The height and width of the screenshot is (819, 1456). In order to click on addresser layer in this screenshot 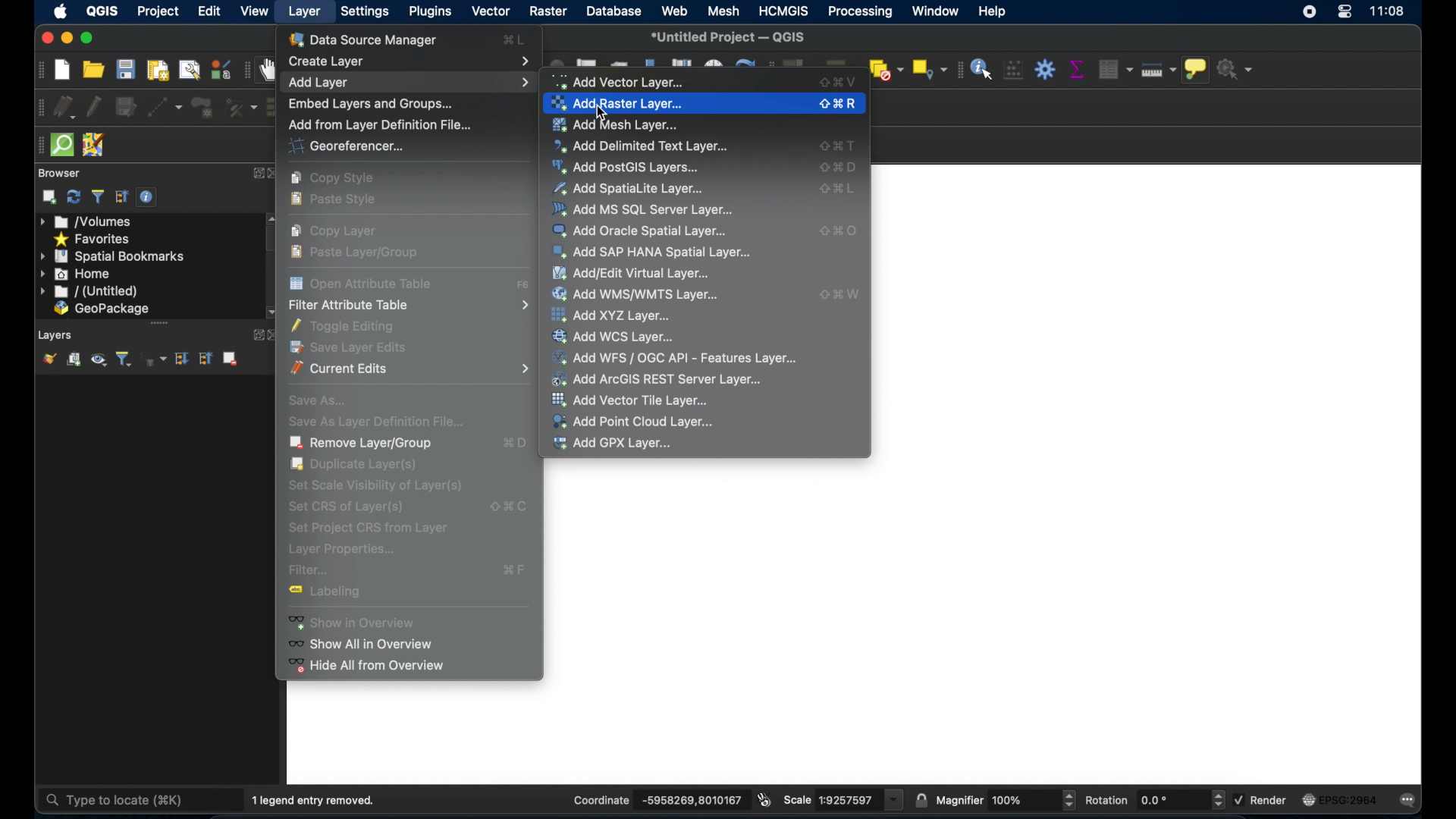, I will do `click(618, 104)`.